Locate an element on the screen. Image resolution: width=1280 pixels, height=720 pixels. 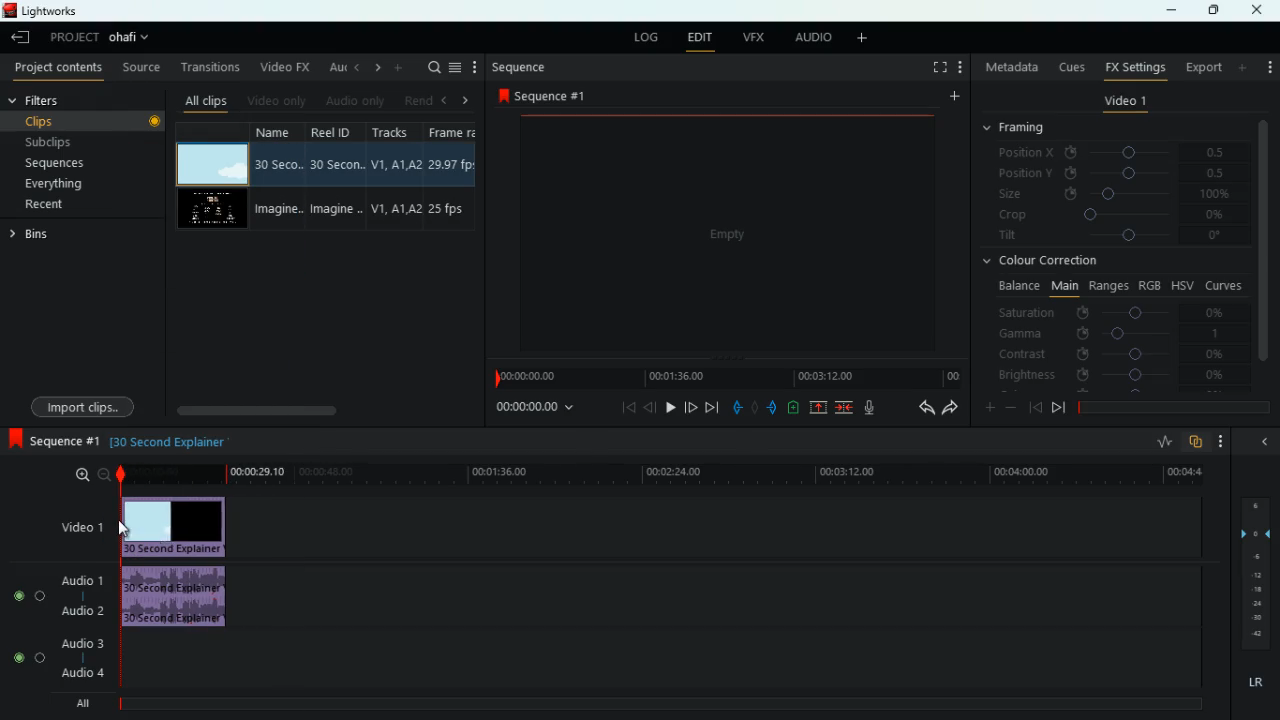
bins is located at coordinates (39, 235).